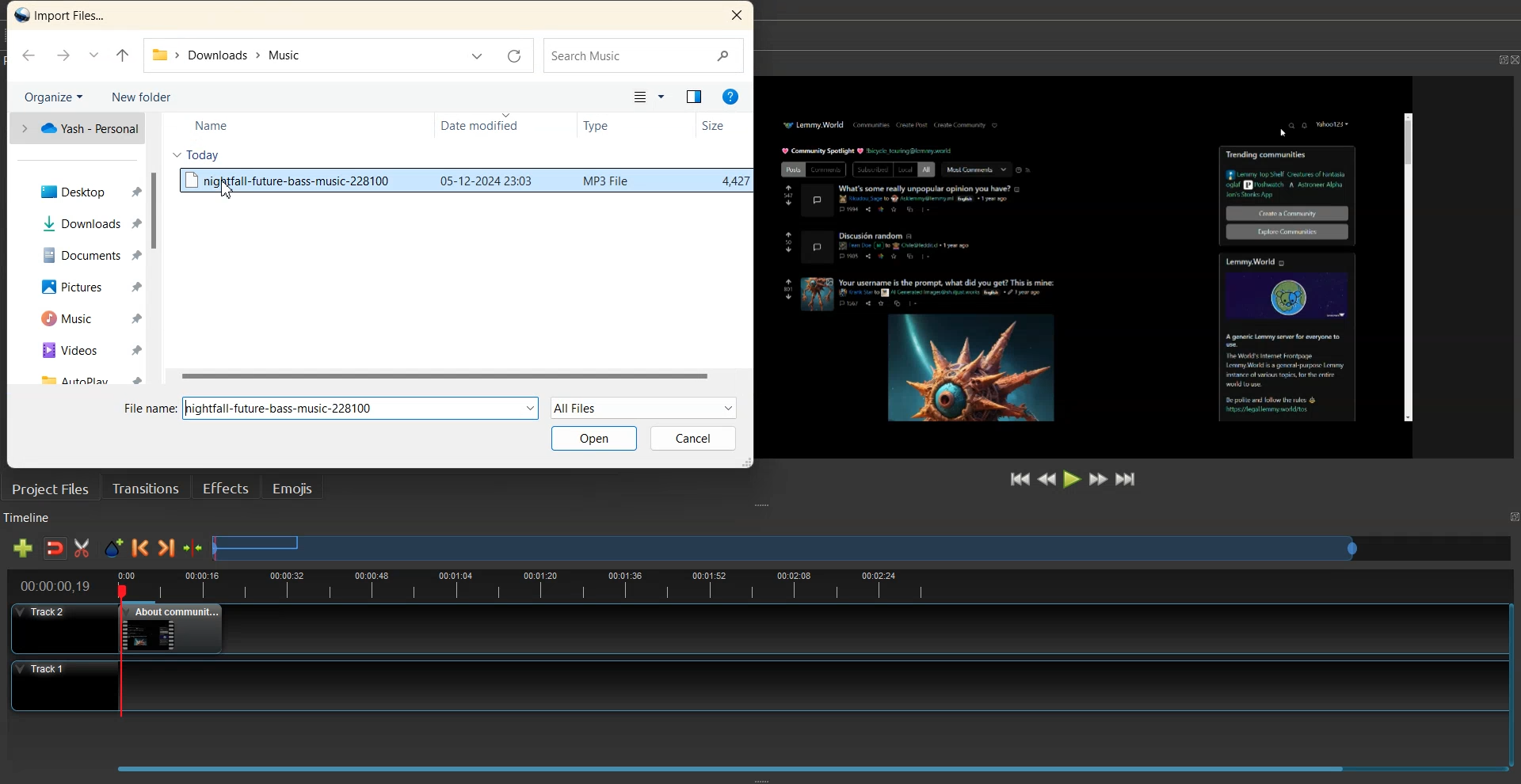 The width and height of the screenshot is (1521, 784). Describe the element at coordinates (463, 181) in the screenshot. I see `File` at that location.